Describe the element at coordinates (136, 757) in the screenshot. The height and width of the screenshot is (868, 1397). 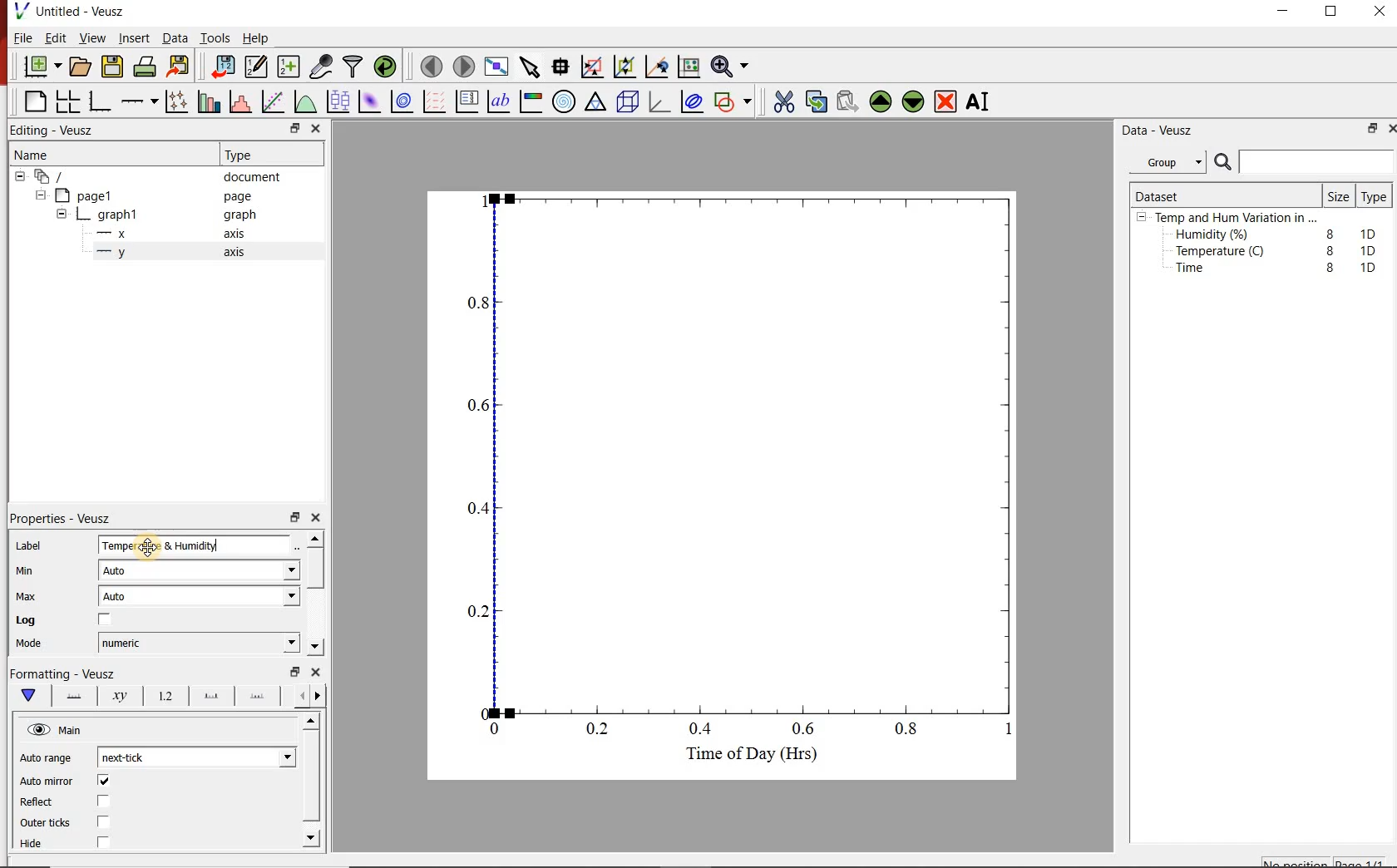
I see `next-tick` at that location.